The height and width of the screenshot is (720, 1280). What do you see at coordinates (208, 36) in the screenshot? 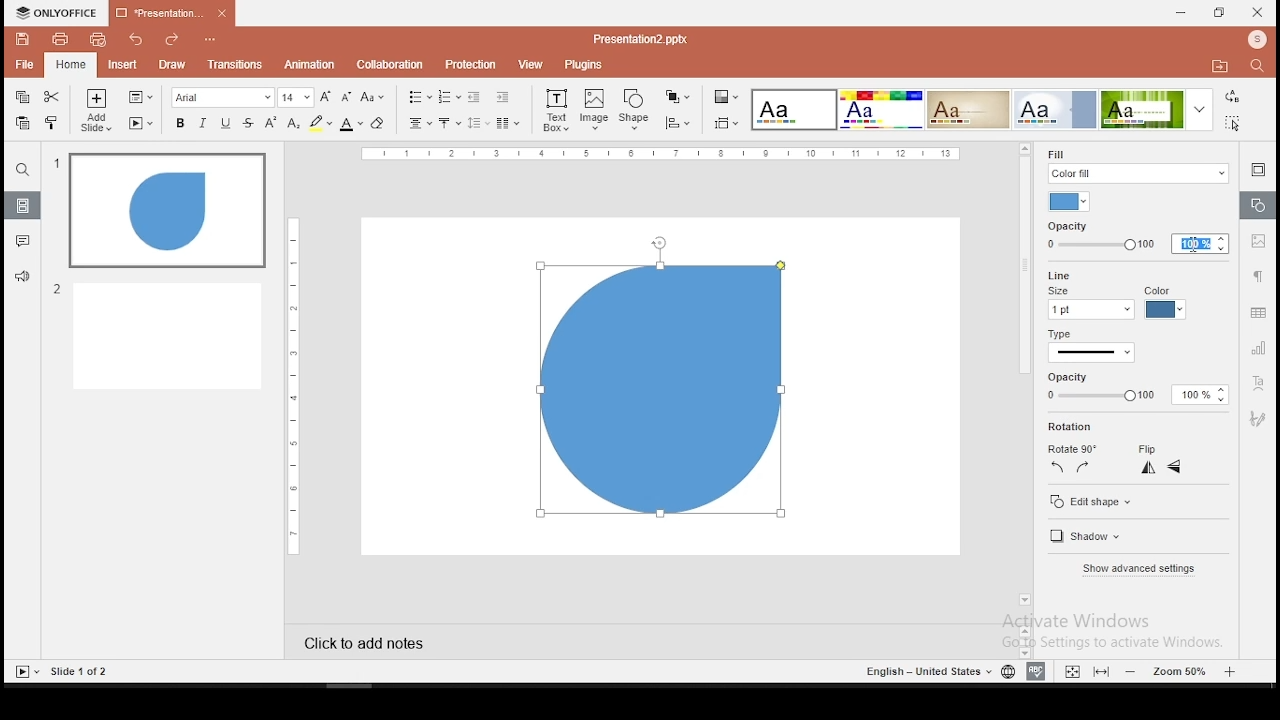
I see `customize quick action toolbar` at bounding box center [208, 36].